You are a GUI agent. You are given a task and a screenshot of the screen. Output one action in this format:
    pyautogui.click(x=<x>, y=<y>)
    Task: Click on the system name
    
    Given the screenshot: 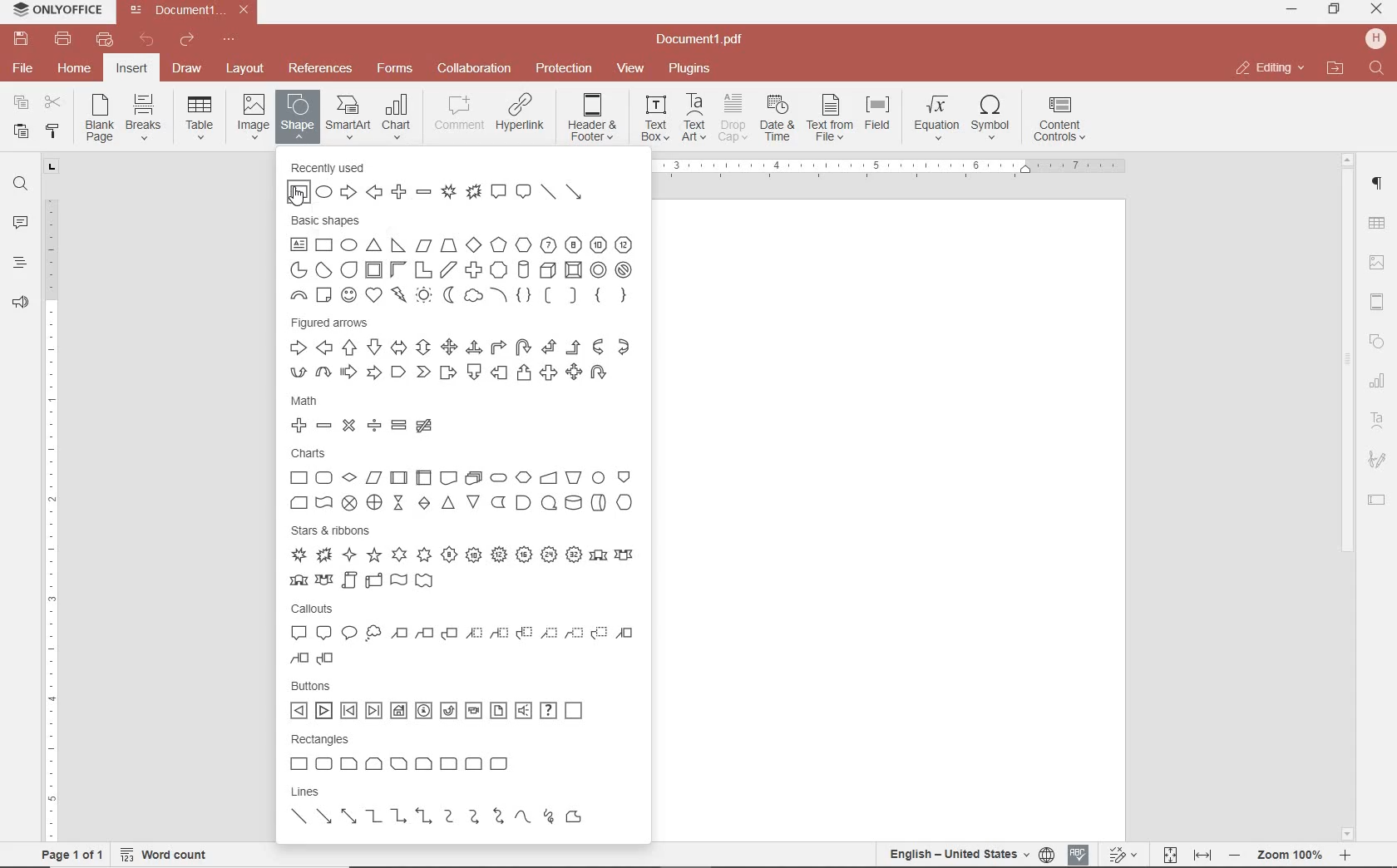 What is the action you would take?
    pyautogui.click(x=53, y=11)
    